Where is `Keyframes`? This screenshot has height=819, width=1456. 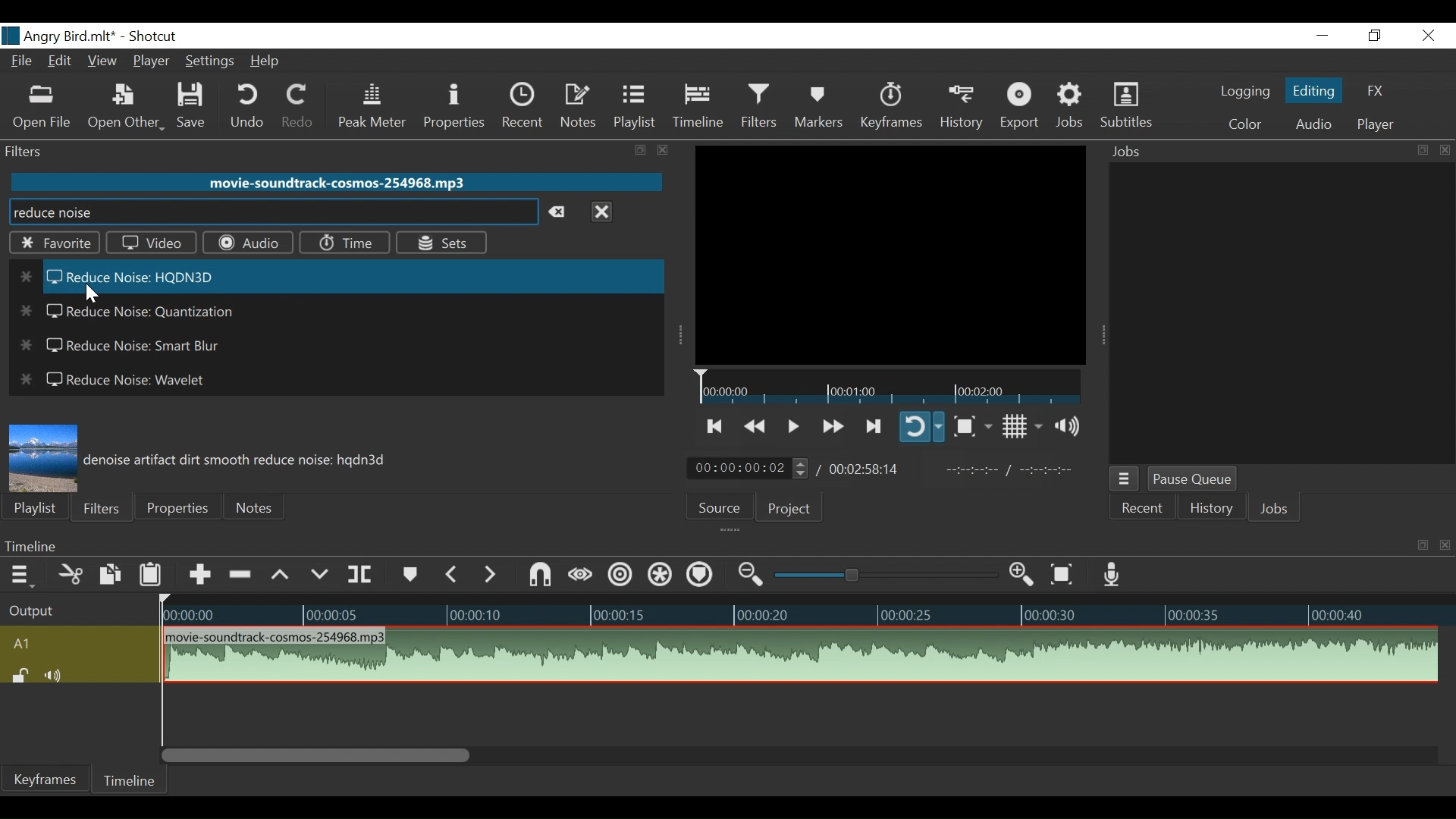 Keyframes is located at coordinates (890, 106).